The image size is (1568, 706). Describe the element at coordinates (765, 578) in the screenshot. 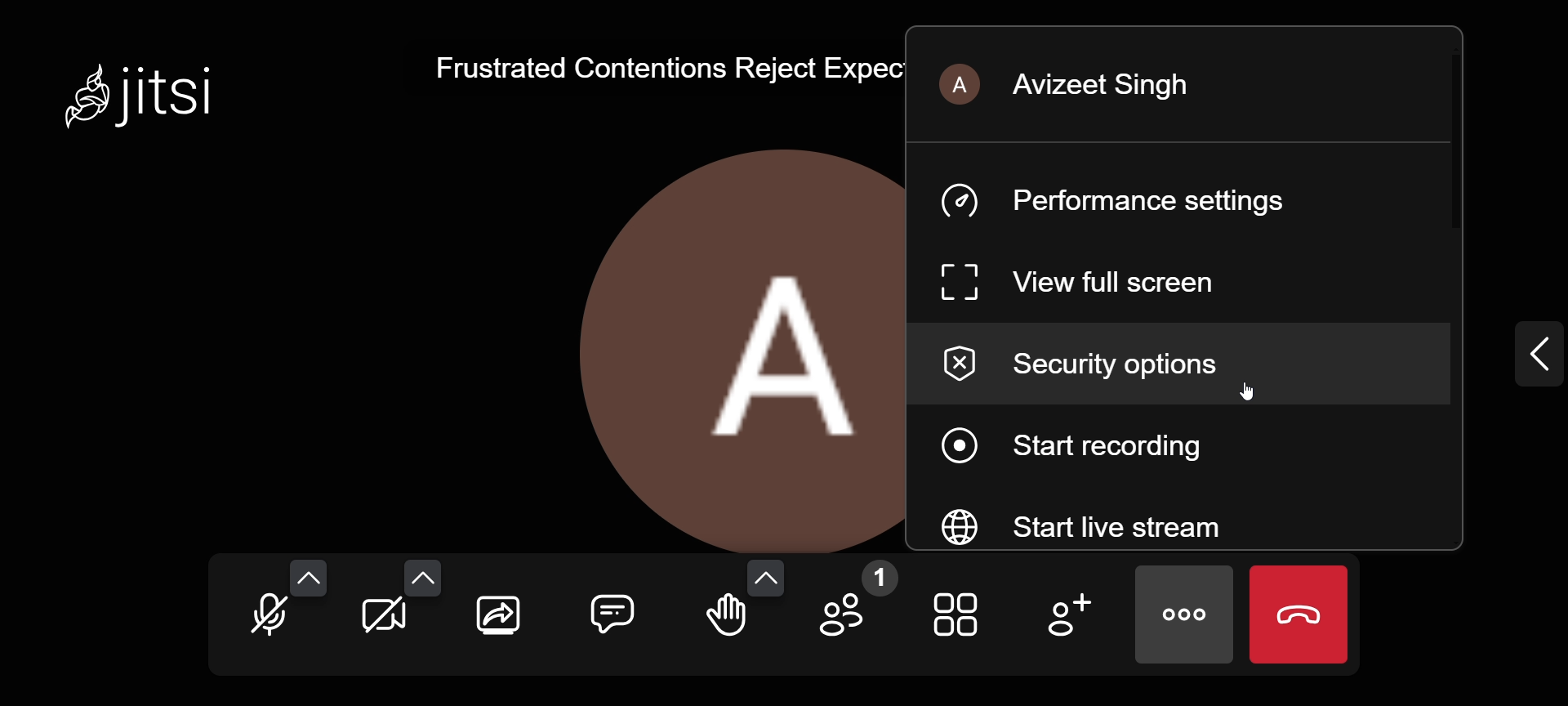

I see `more reaction ` at that location.